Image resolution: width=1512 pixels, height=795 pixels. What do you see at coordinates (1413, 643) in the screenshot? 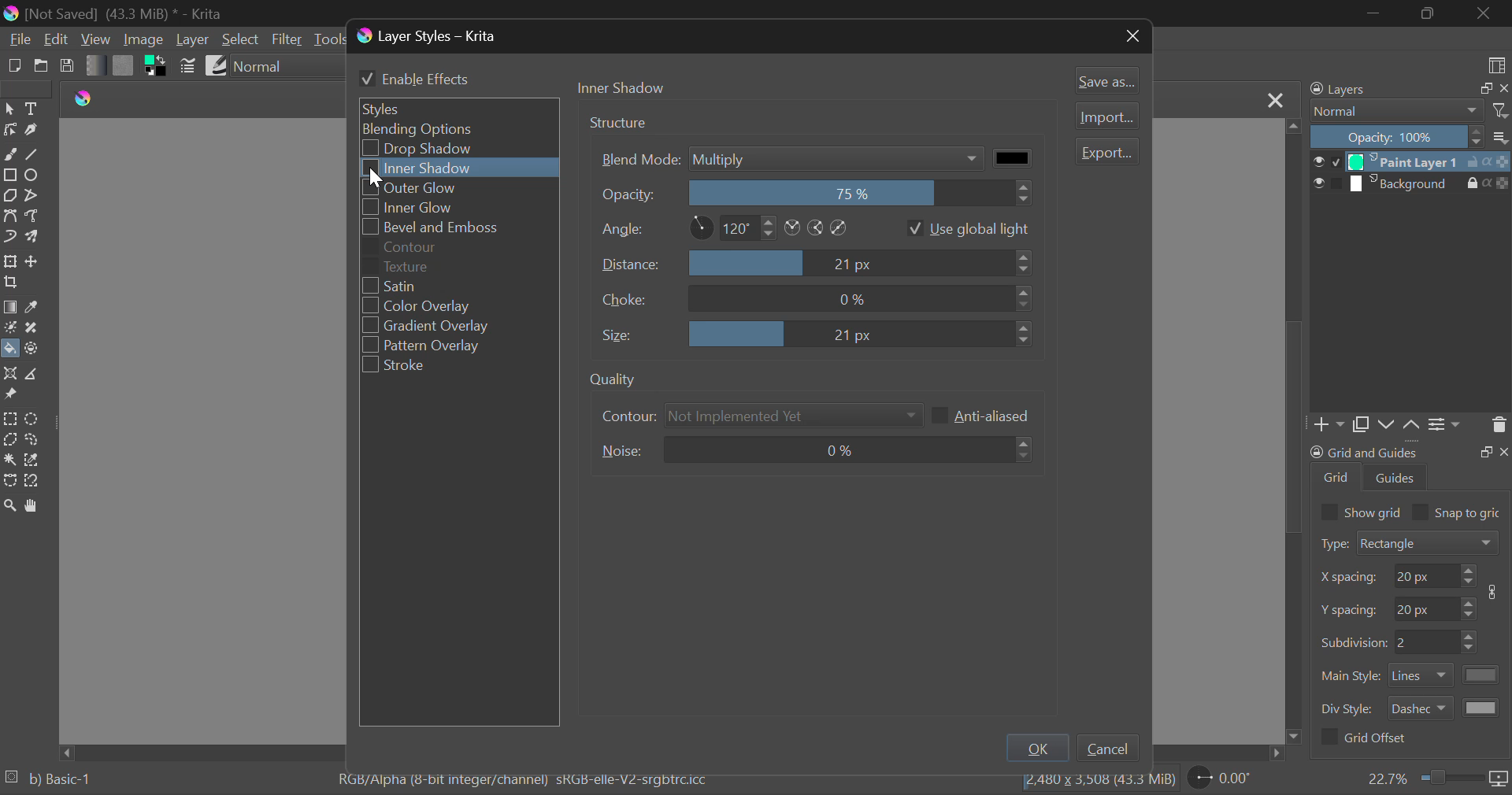
I see `Grid Characteristic Input` at bounding box center [1413, 643].